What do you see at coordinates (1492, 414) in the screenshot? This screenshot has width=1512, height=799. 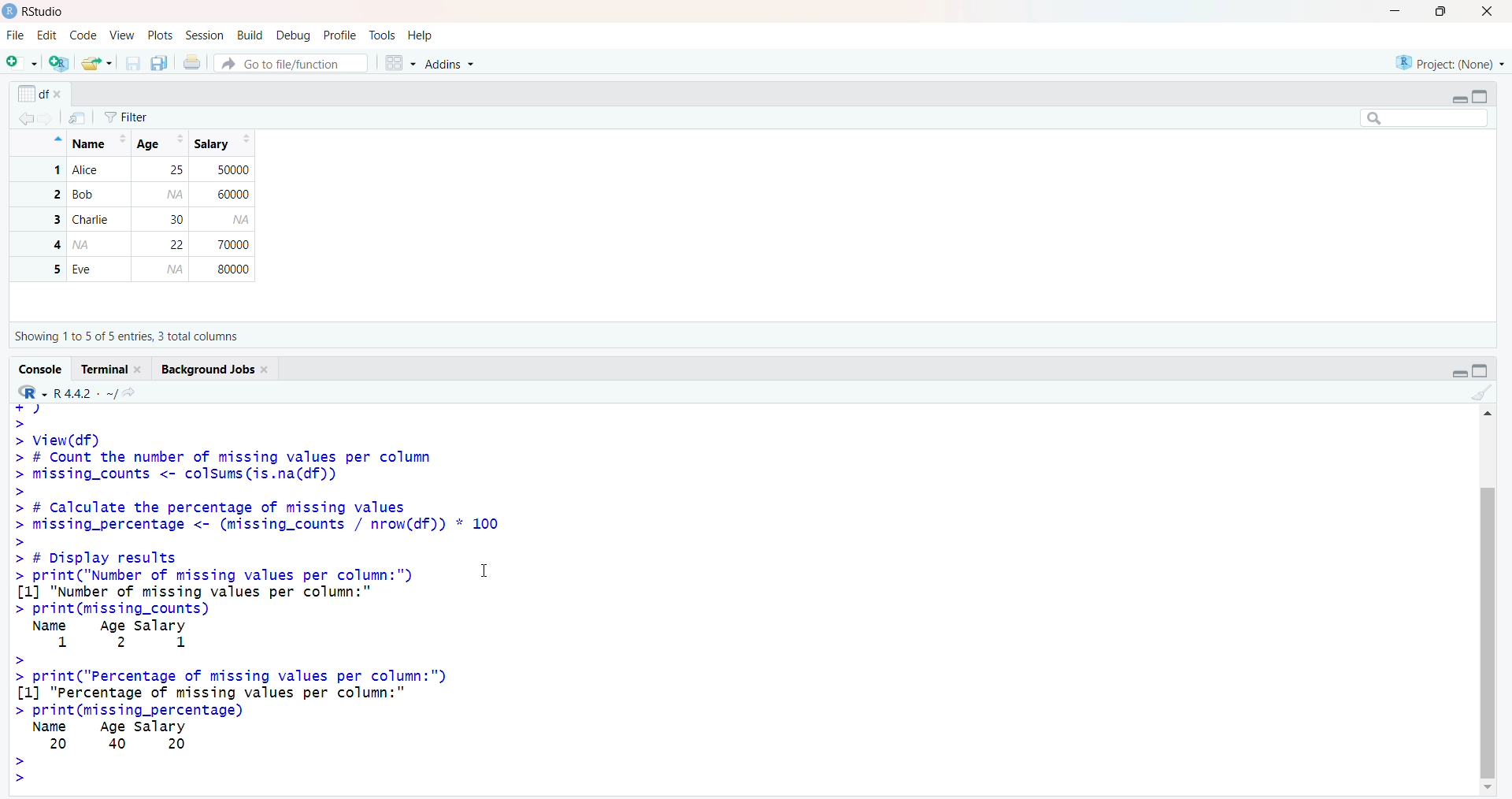 I see `Up` at bounding box center [1492, 414].